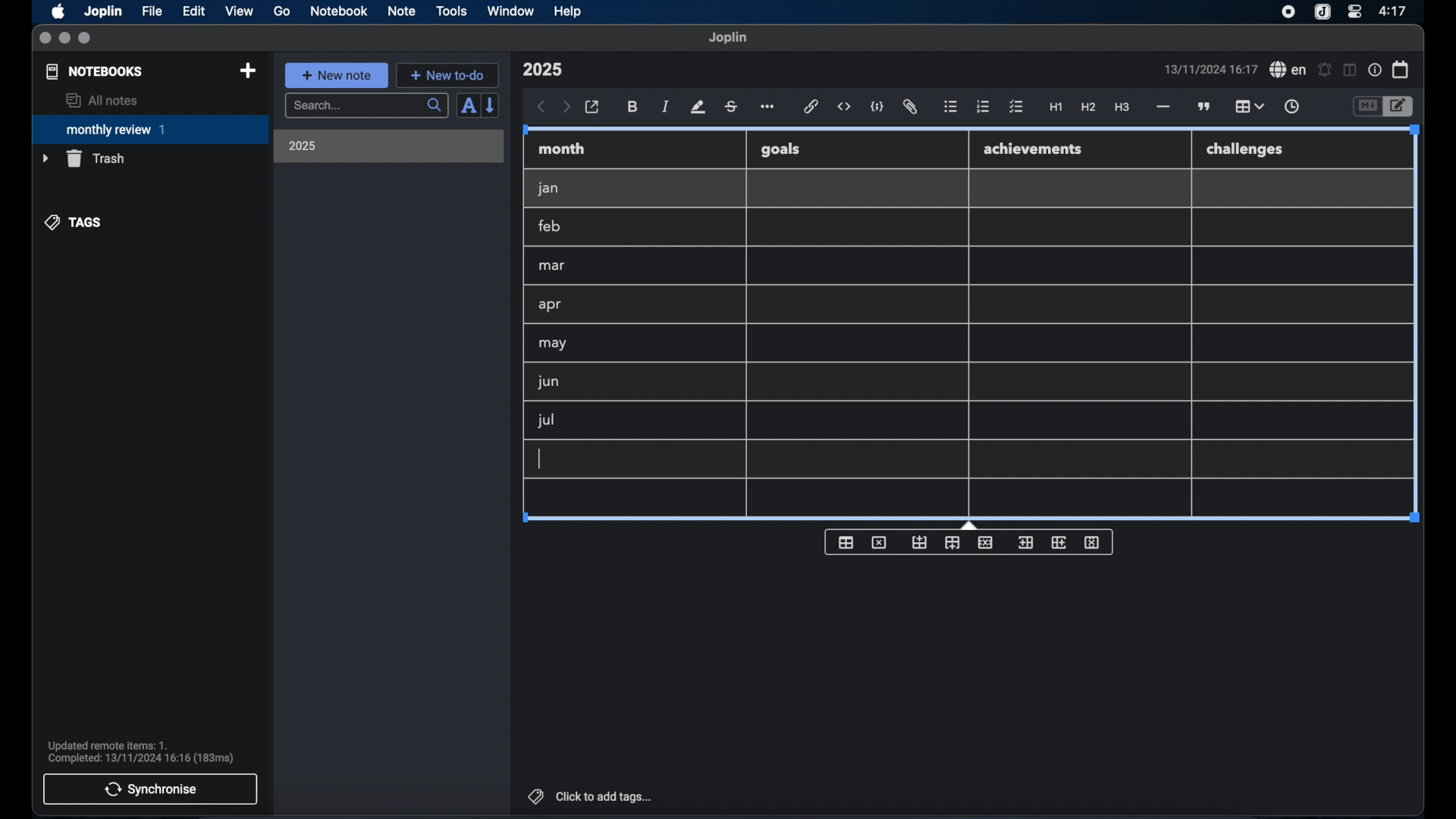 The height and width of the screenshot is (819, 1456). I want to click on italic, so click(666, 106).